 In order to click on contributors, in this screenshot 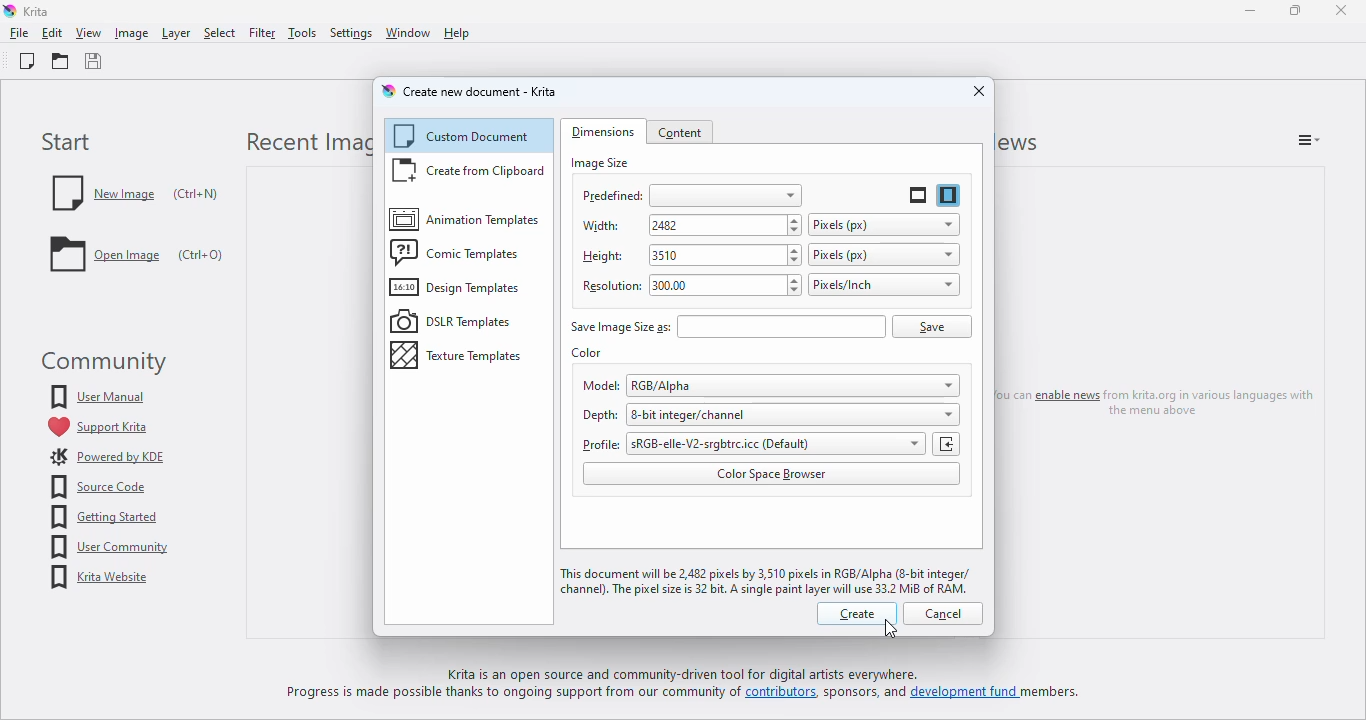, I will do `click(787, 696)`.